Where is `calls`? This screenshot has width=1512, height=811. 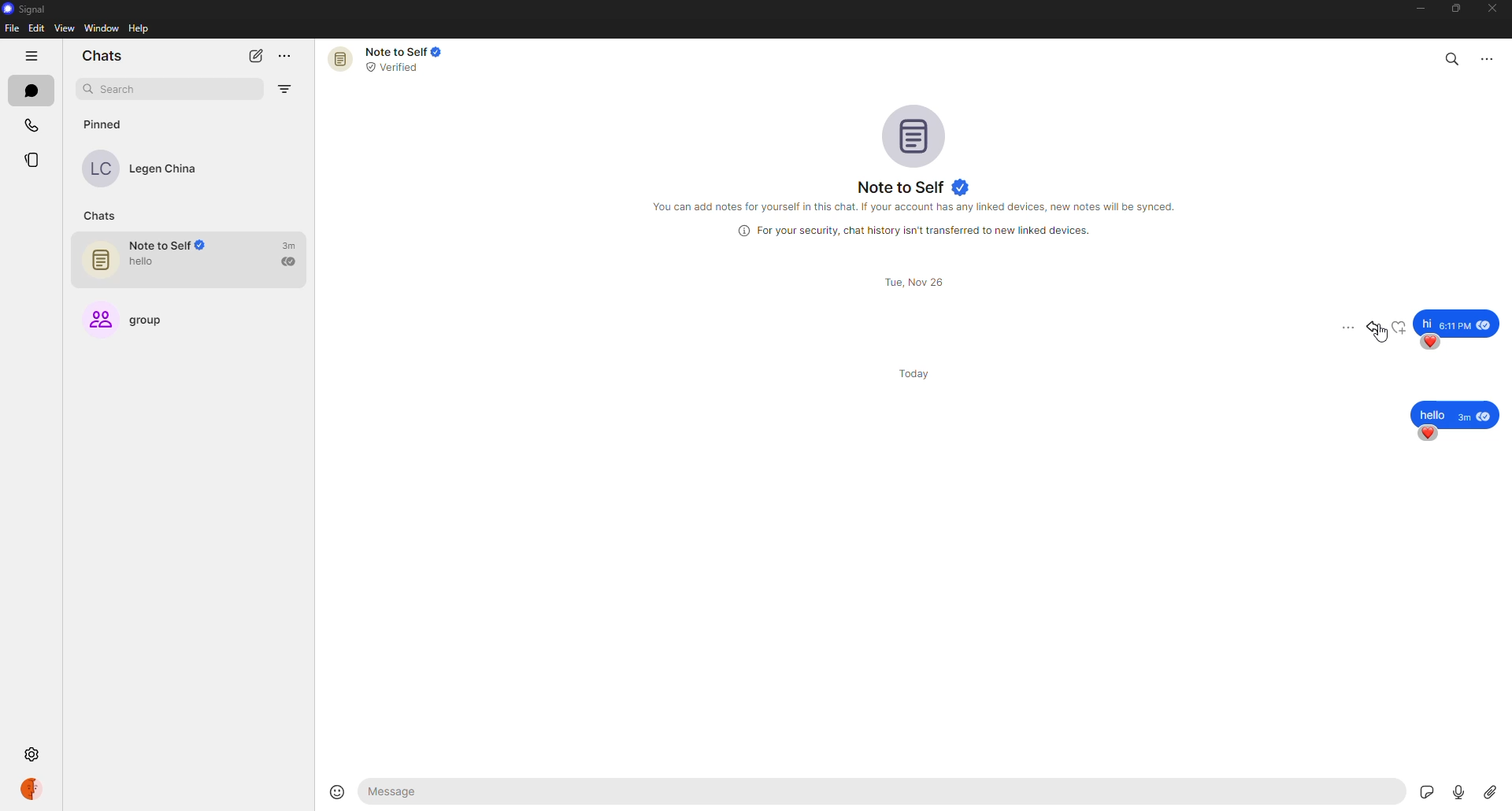
calls is located at coordinates (34, 122).